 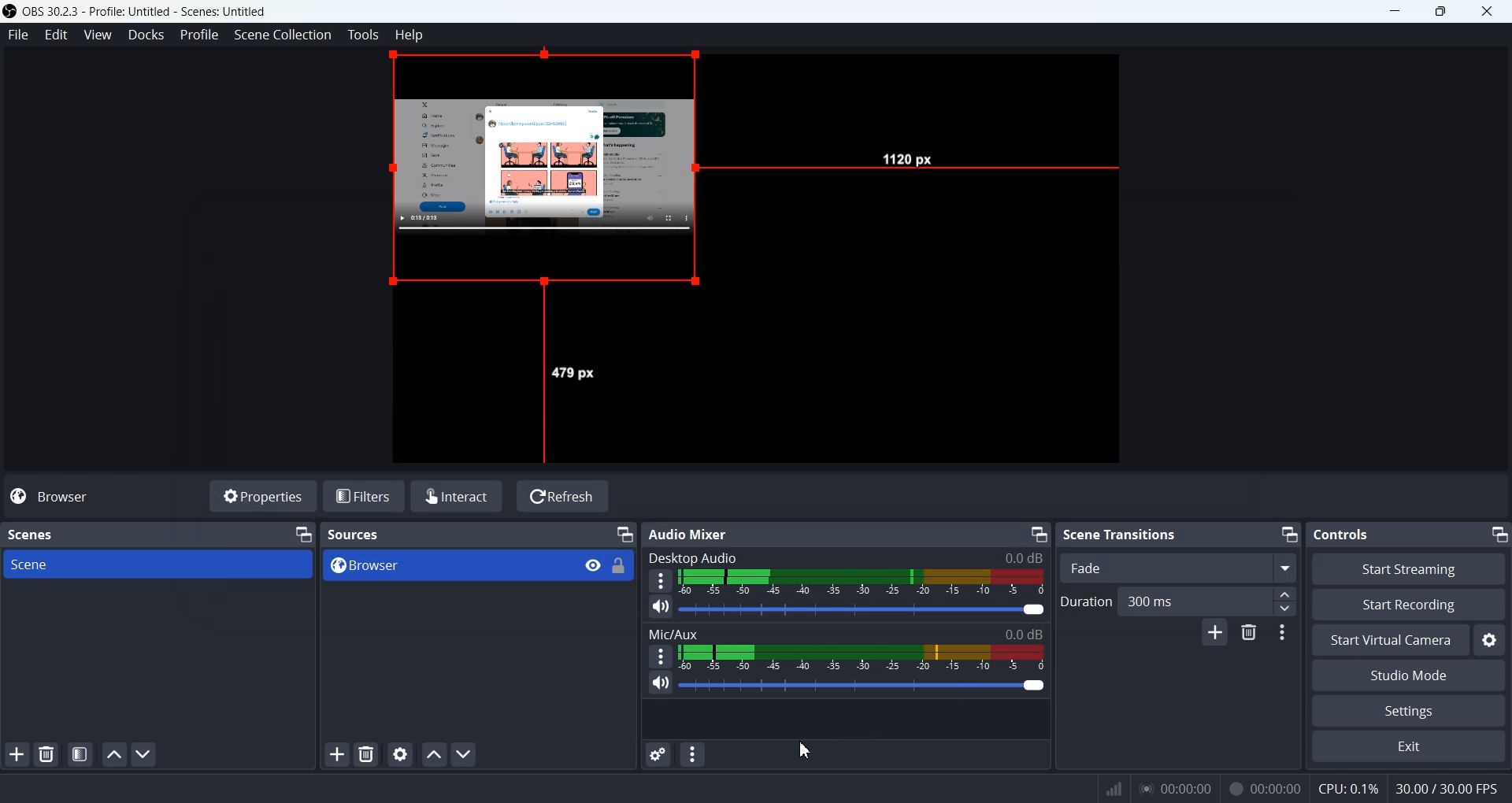 What do you see at coordinates (444, 566) in the screenshot?
I see `Browser` at bounding box center [444, 566].